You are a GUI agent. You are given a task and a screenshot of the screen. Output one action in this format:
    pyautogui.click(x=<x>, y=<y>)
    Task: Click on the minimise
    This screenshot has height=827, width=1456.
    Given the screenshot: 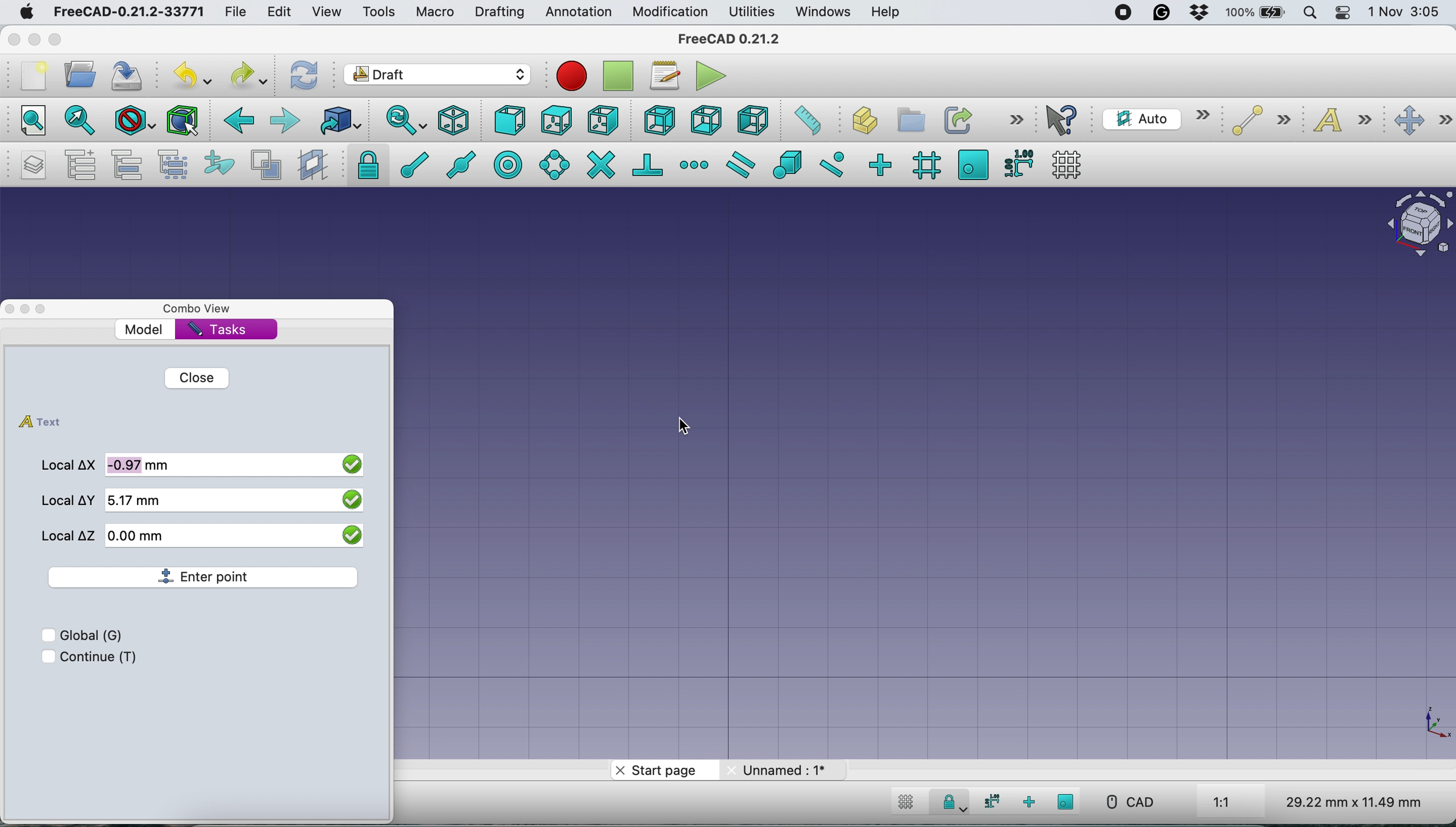 What is the action you would take?
    pyautogui.click(x=34, y=40)
    